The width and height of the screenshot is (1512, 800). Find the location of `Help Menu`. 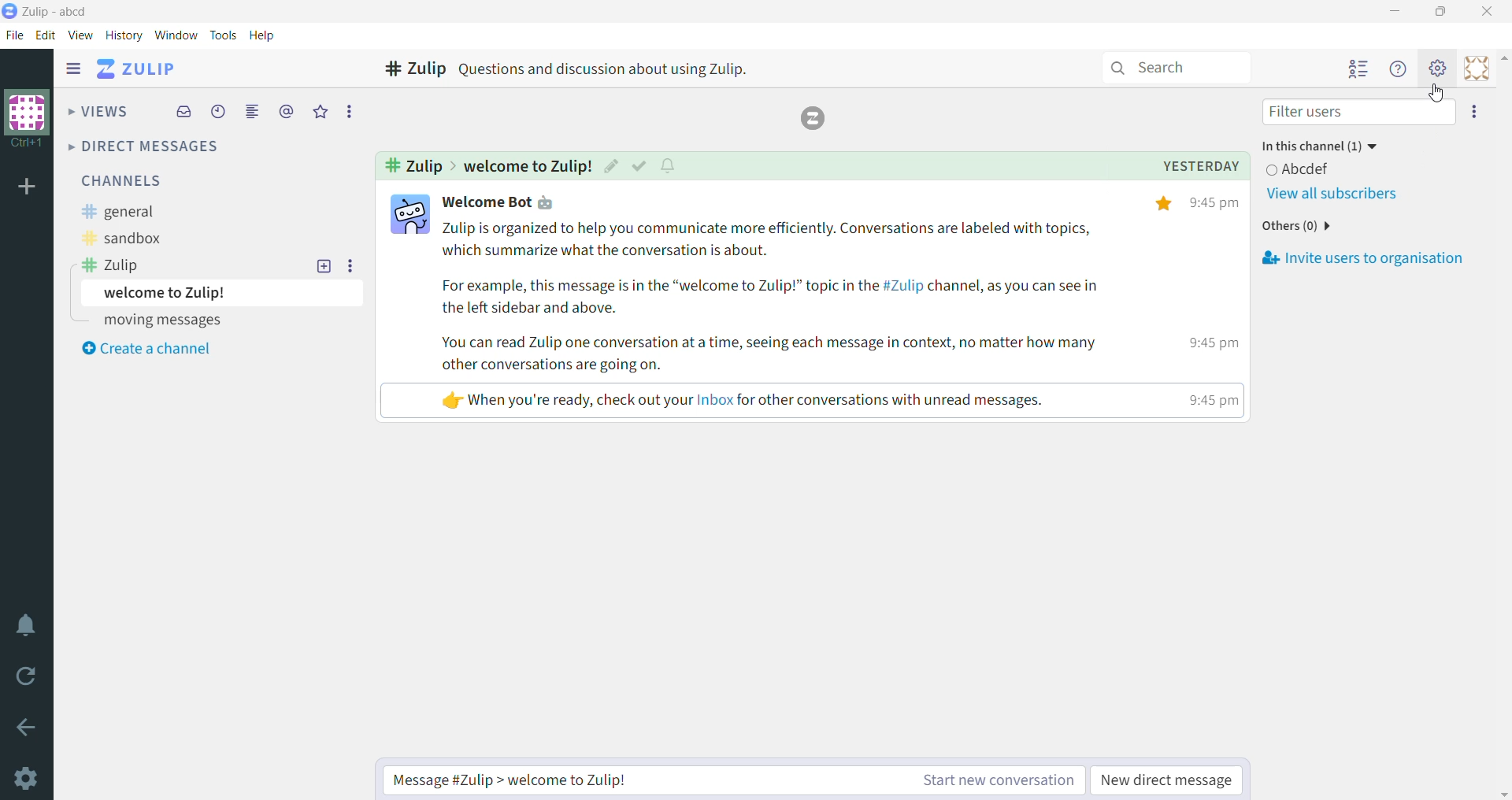

Help Menu is located at coordinates (1399, 69).